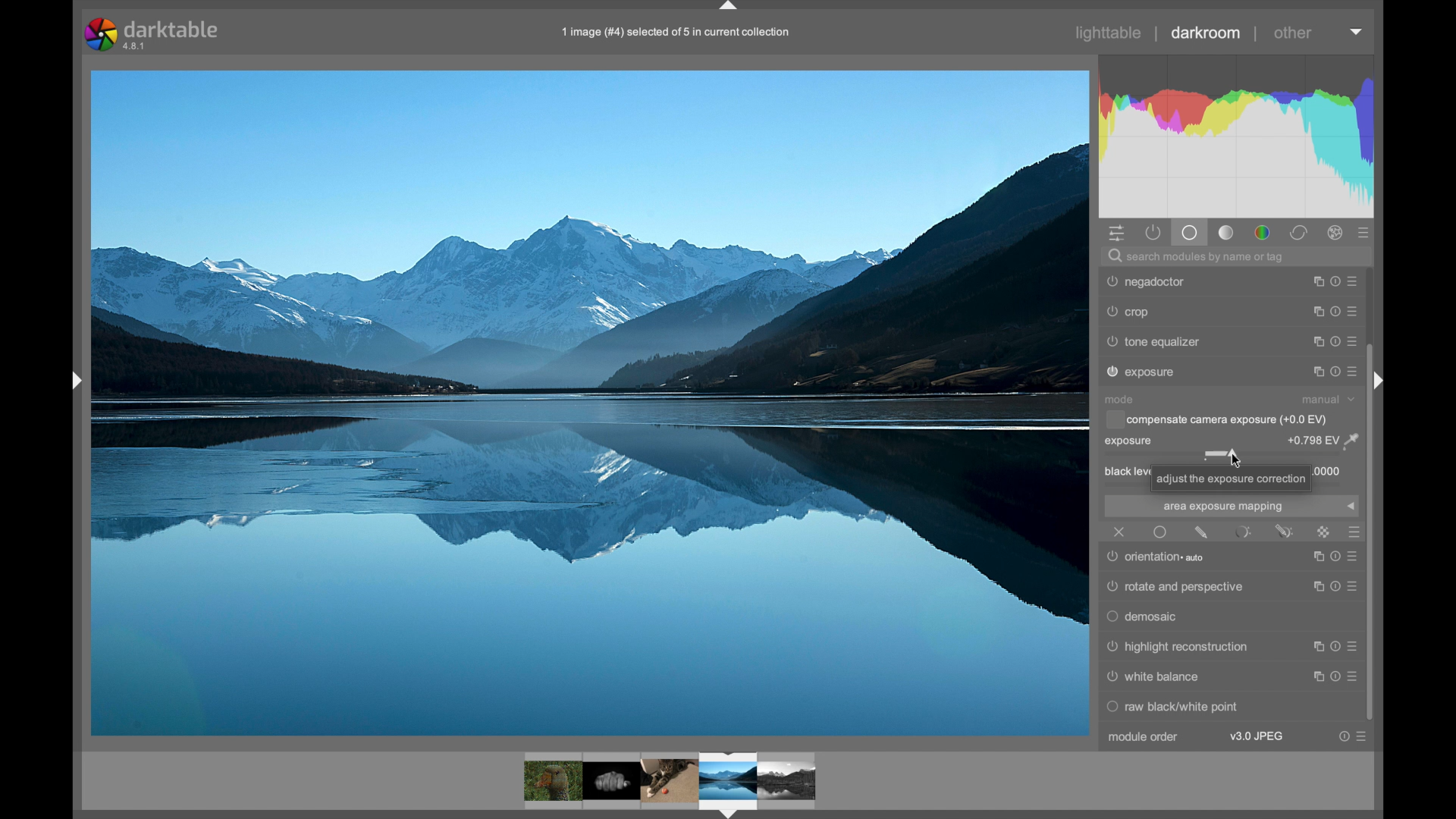 Image resolution: width=1456 pixels, height=819 pixels. What do you see at coordinates (1205, 33) in the screenshot?
I see `darkroom` at bounding box center [1205, 33].